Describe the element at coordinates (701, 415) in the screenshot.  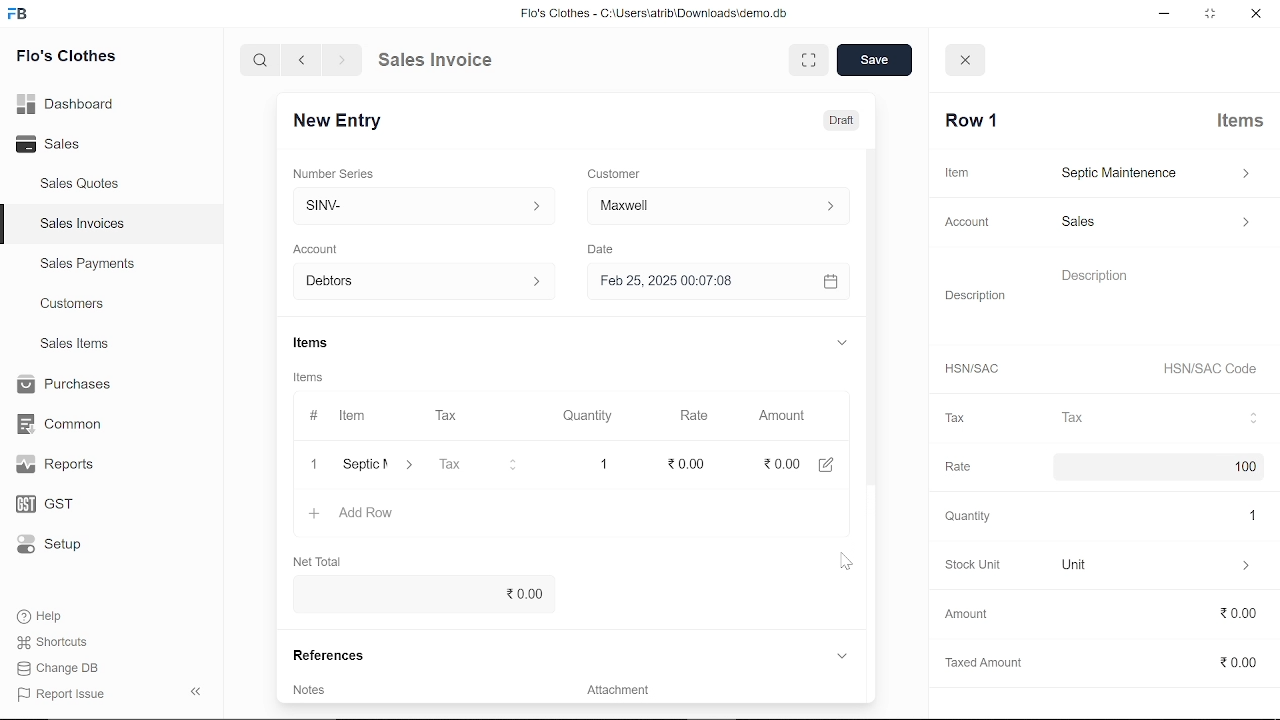
I see `Rate` at that location.